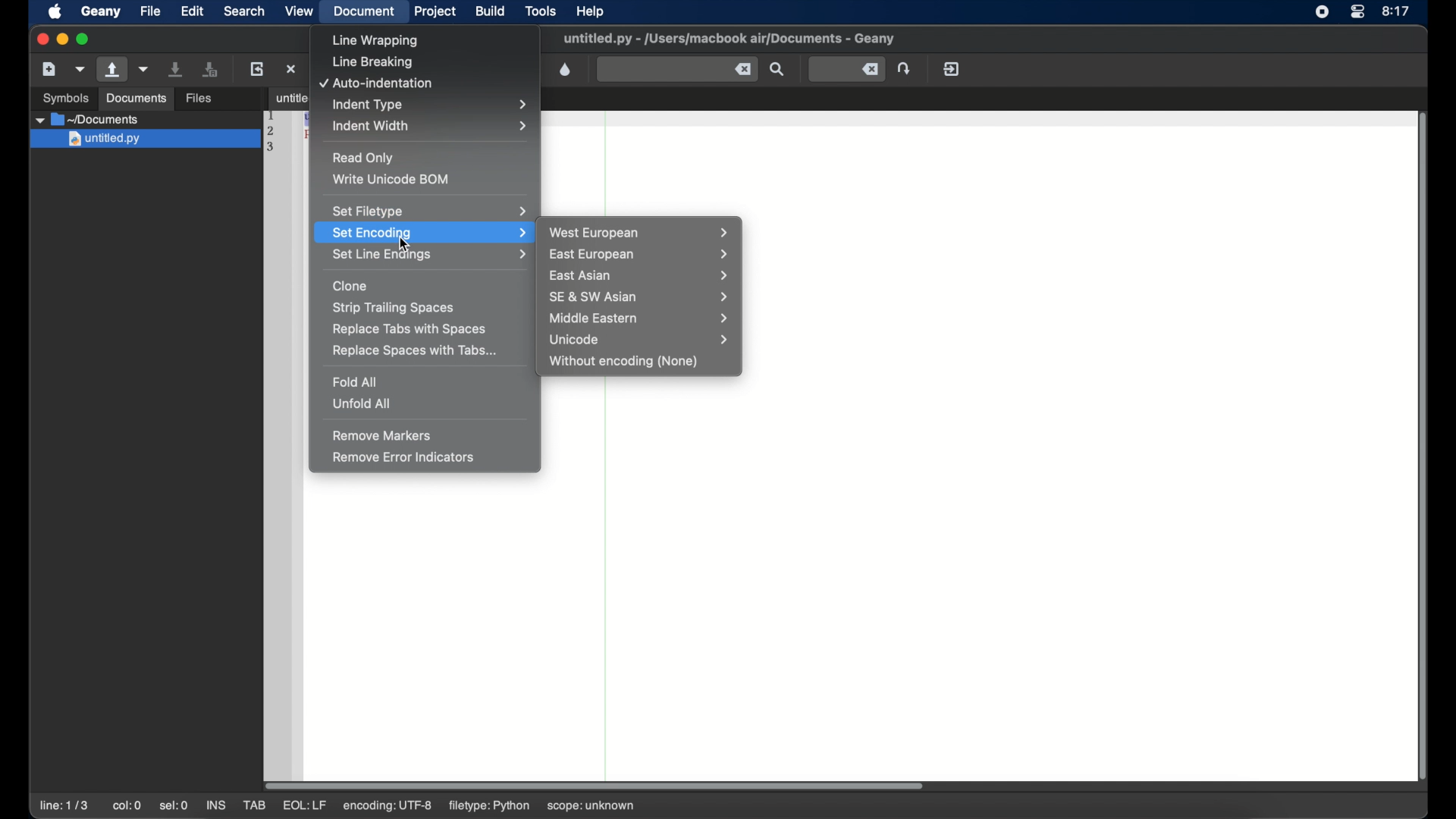 Image resolution: width=1456 pixels, height=819 pixels. I want to click on close the current file, so click(291, 68).